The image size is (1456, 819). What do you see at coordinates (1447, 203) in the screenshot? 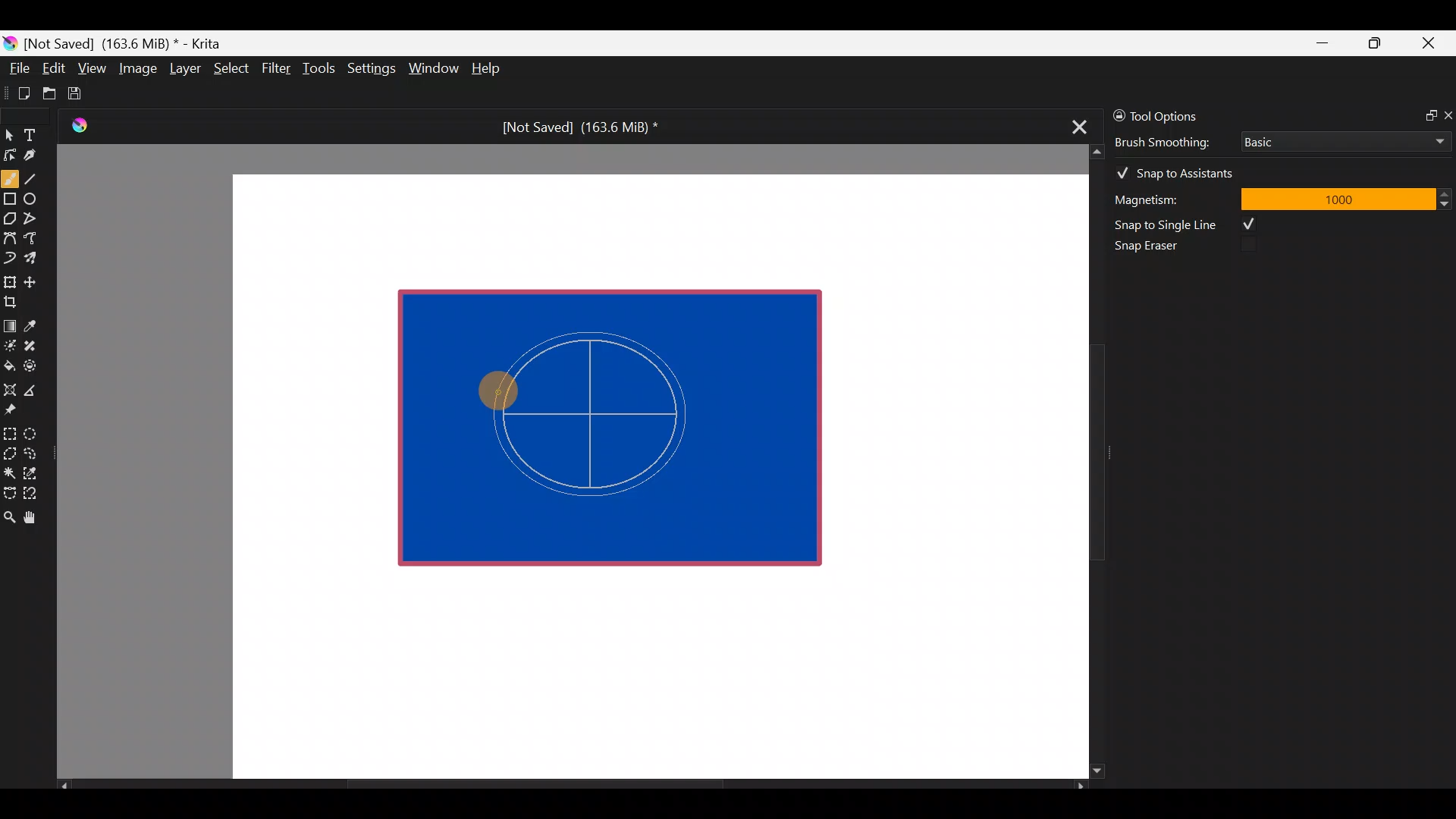
I see `Decrease` at bounding box center [1447, 203].